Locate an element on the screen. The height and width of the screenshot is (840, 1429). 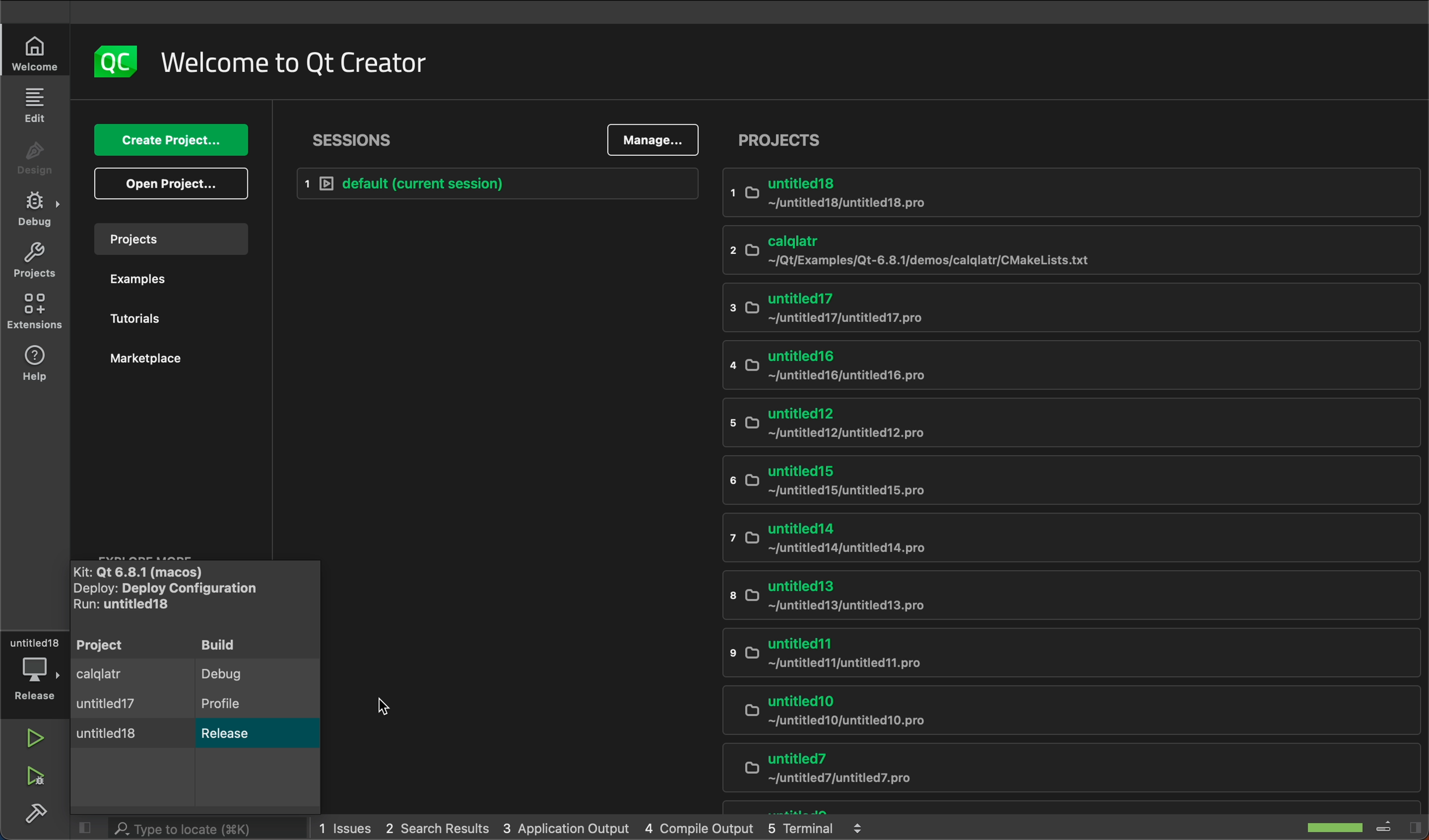
projects is located at coordinates (37, 258).